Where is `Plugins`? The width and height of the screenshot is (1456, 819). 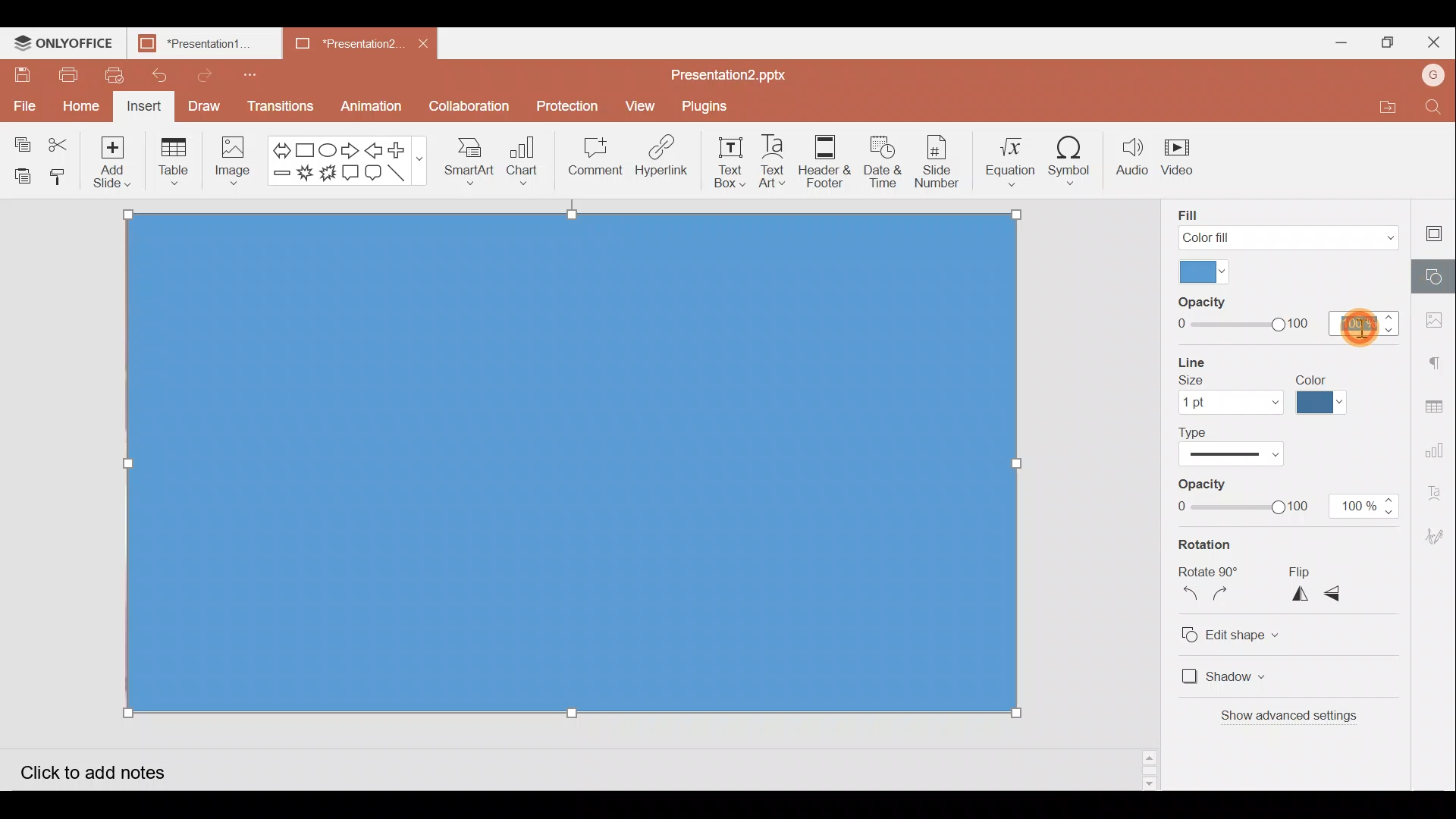
Plugins is located at coordinates (710, 106).